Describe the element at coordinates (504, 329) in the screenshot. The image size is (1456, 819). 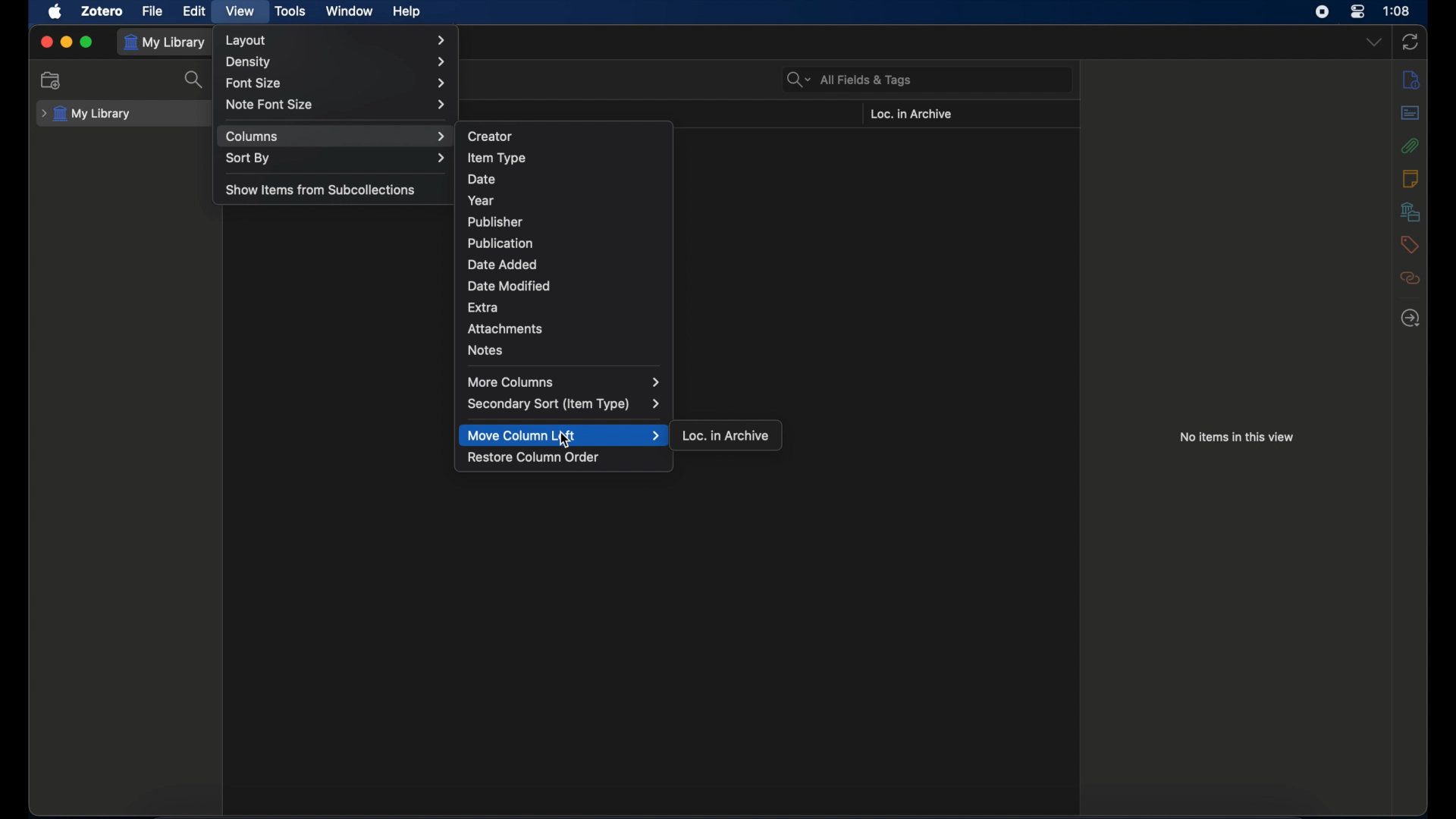
I see `attachments` at that location.